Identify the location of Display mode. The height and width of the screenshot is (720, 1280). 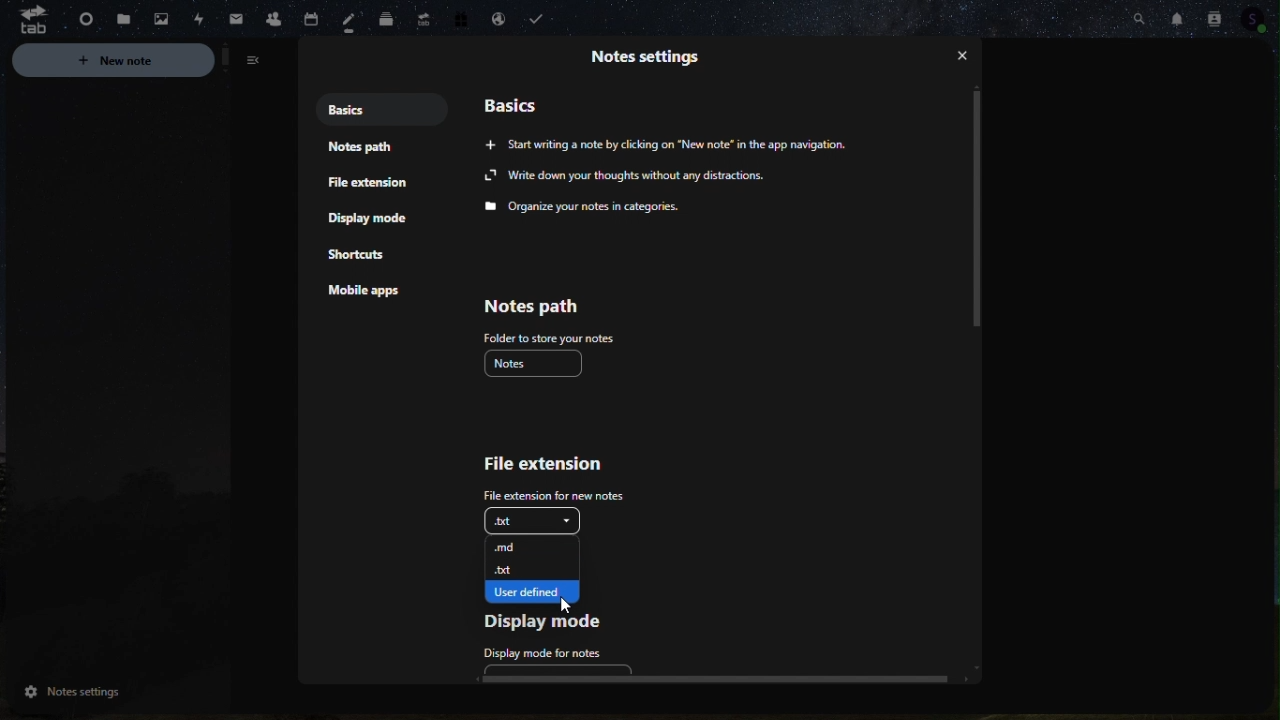
(546, 638).